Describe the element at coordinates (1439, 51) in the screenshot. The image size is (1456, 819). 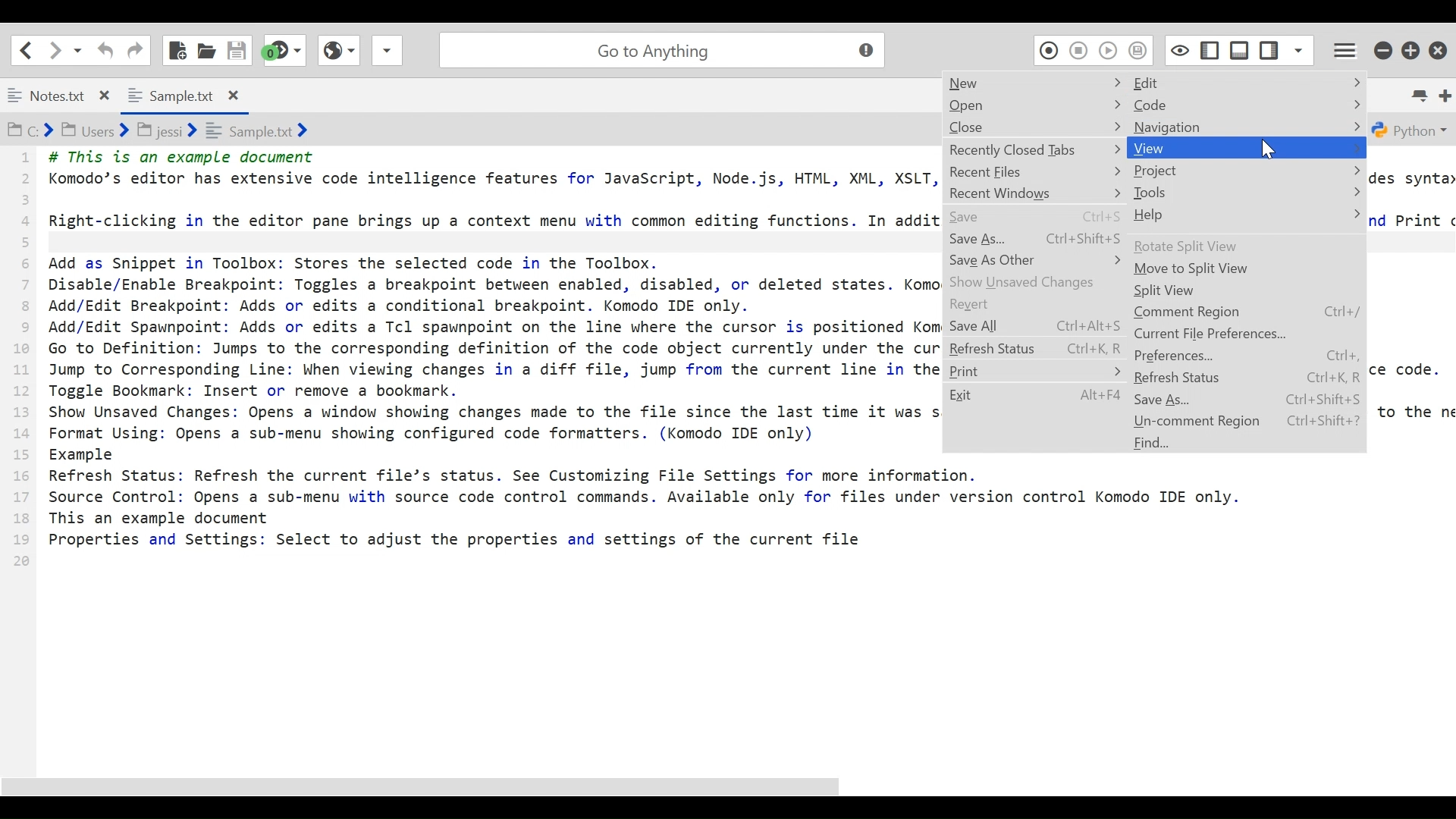
I see `Close` at that location.